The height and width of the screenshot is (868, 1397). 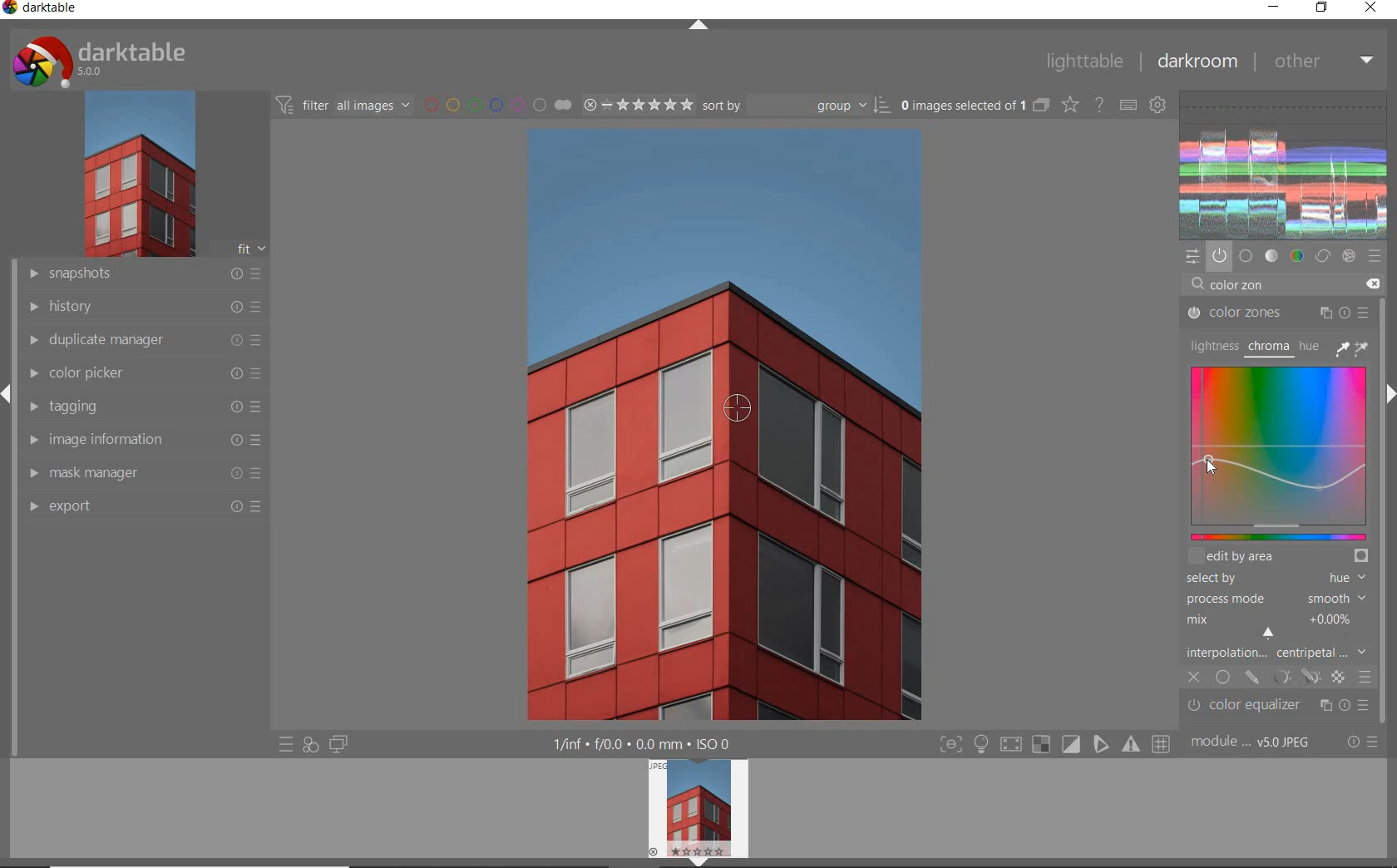 What do you see at coordinates (1162, 742) in the screenshot?
I see `grid overlay` at bounding box center [1162, 742].